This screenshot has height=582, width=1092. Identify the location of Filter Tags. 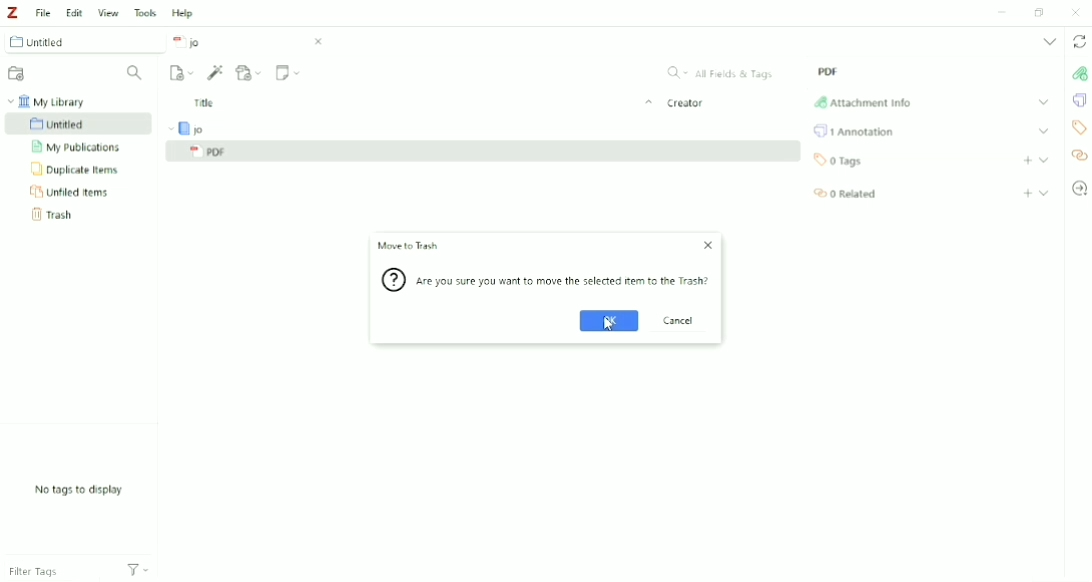
(53, 572).